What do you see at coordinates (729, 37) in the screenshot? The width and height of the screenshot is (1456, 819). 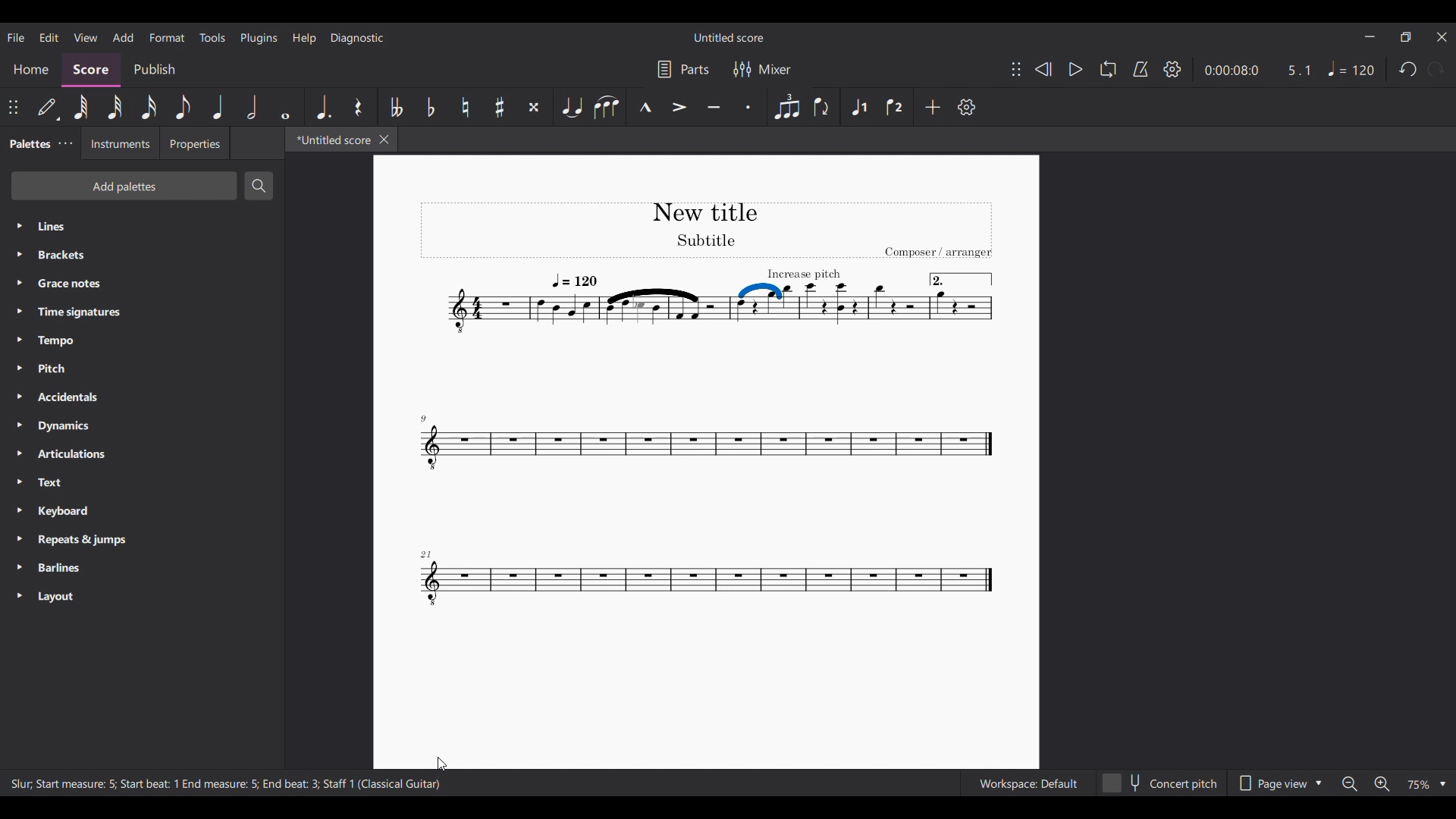 I see `Untitled score` at bounding box center [729, 37].